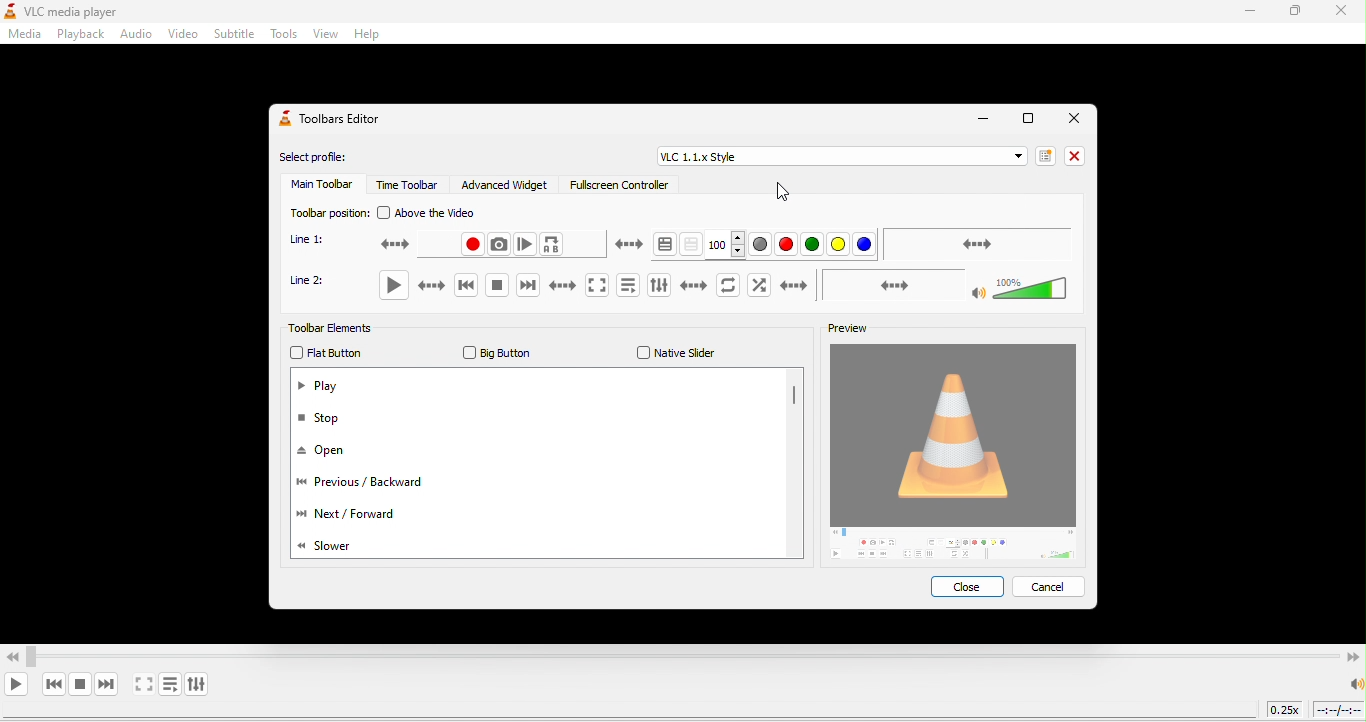 The image size is (1366, 722). Describe the element at coordinates (323, 36) in the screenshot. I see `view` at that location.